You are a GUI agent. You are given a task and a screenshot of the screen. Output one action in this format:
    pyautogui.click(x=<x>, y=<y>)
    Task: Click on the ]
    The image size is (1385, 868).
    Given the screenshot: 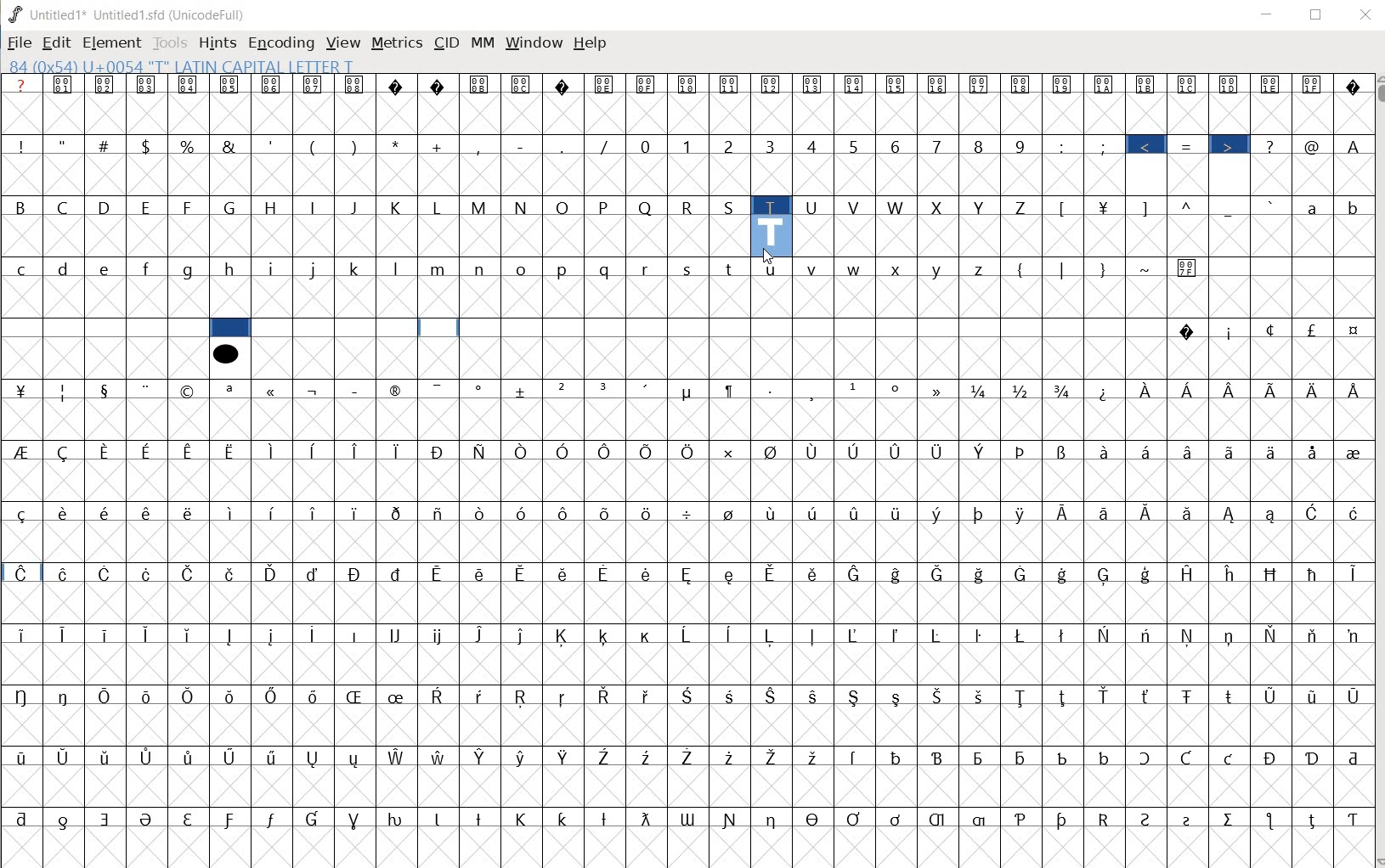 What is the action you would take?
    pyautogui.click(x=1150, y=206)
    